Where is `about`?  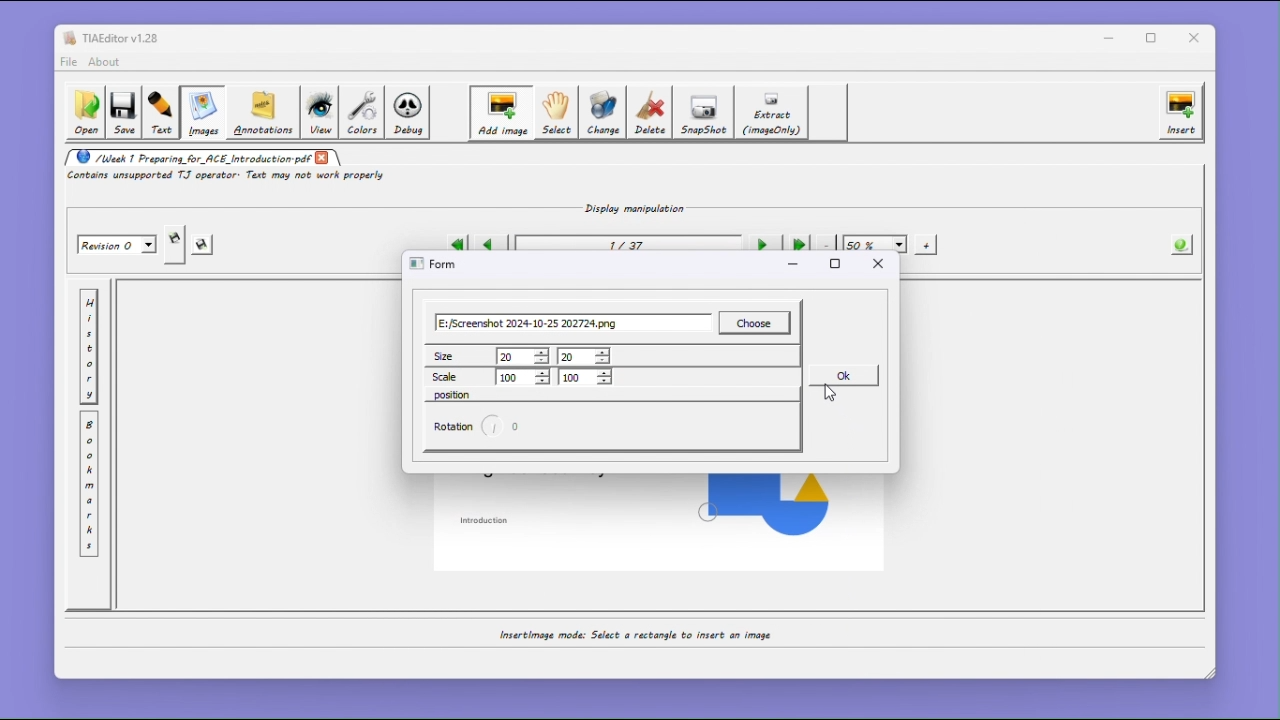 about is located at coordinates (107, 62).